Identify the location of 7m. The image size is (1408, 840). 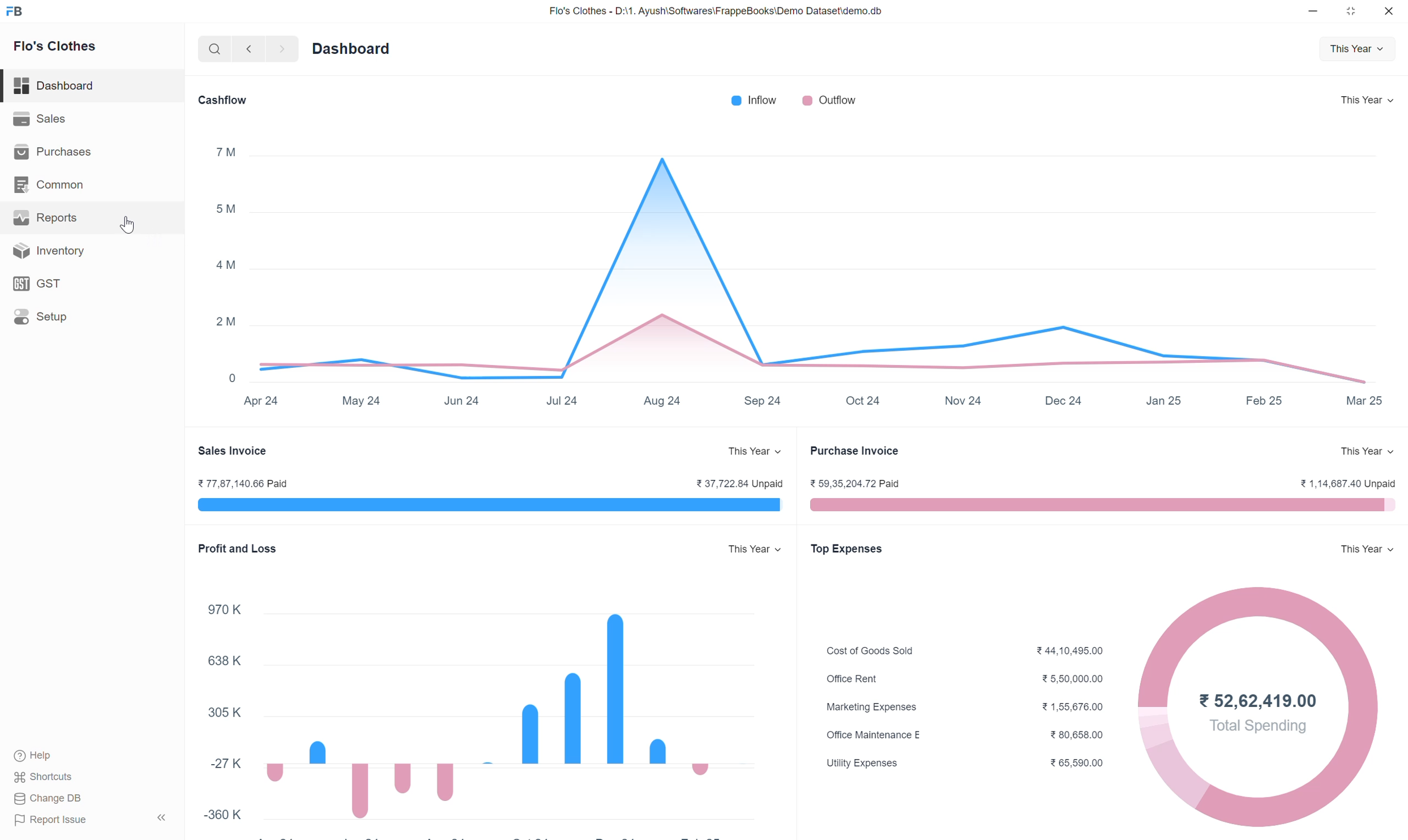
(226, 153).